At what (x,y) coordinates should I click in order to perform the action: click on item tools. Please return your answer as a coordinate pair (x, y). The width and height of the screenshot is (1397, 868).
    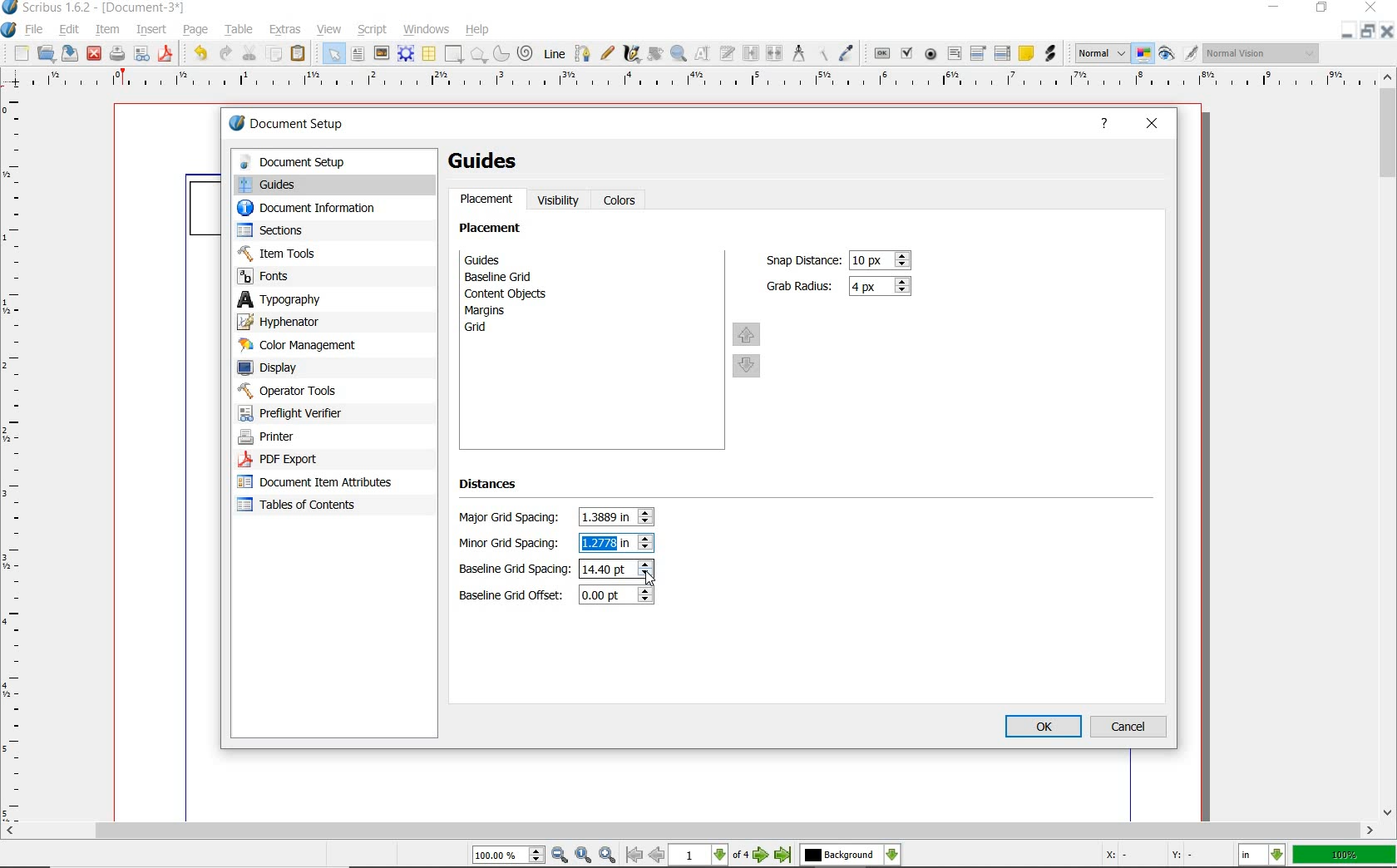
    Looking at the image, I should click on (324, 253).